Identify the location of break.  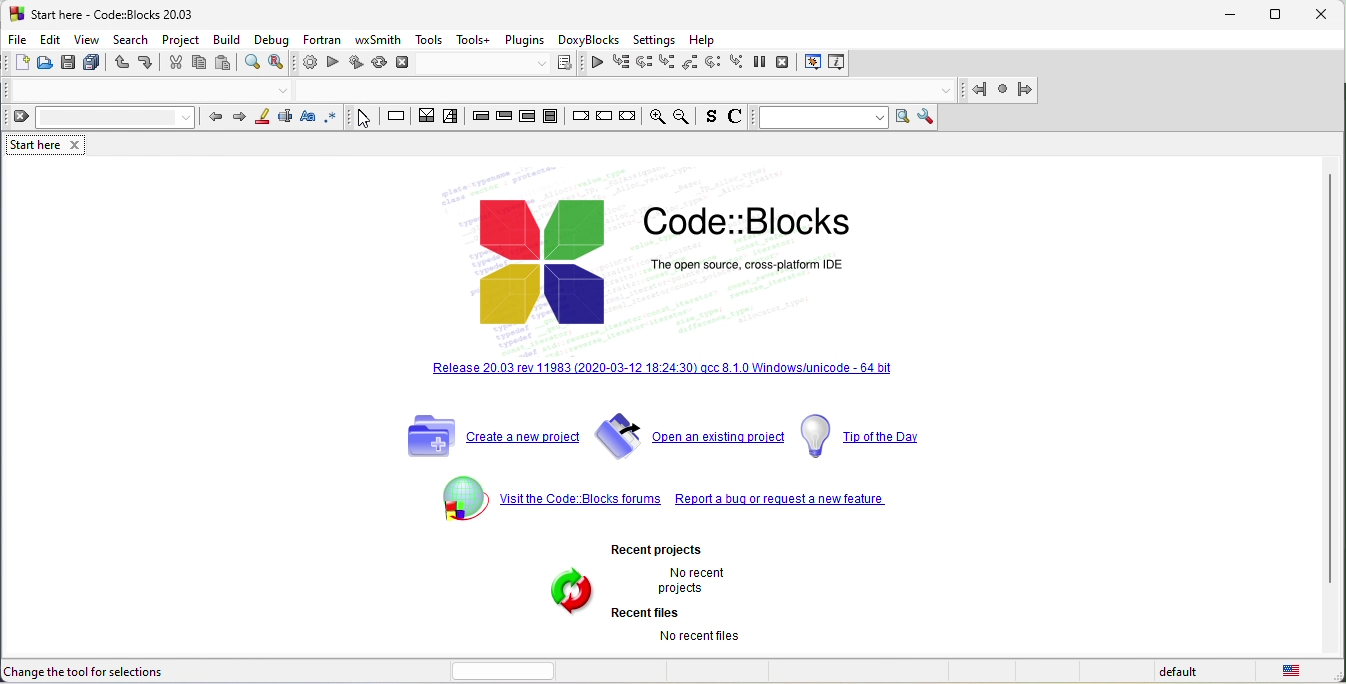
(585, 118).